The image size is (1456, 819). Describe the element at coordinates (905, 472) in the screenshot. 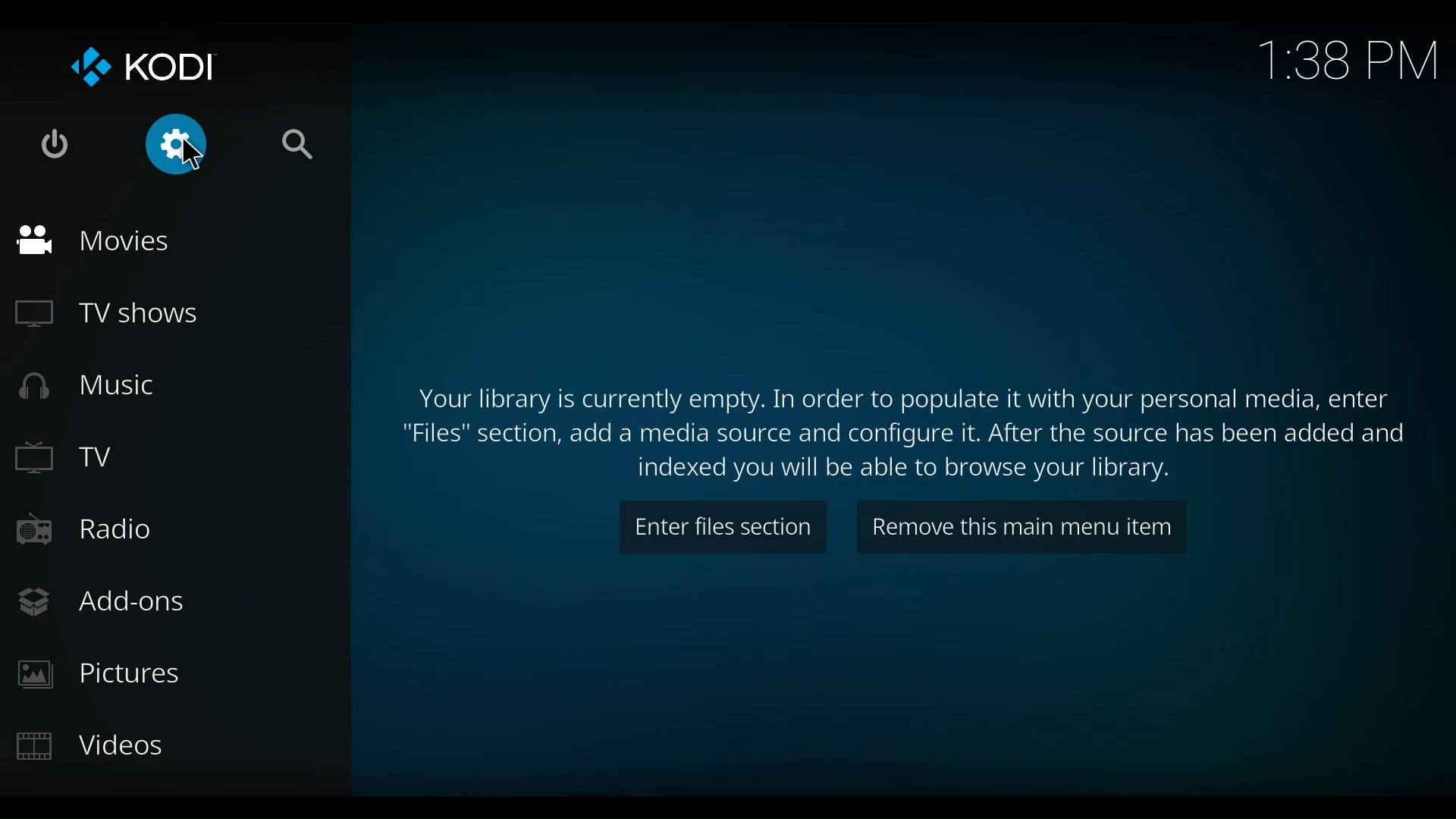

I see `Indexed you will be able to browse your library` at that location.